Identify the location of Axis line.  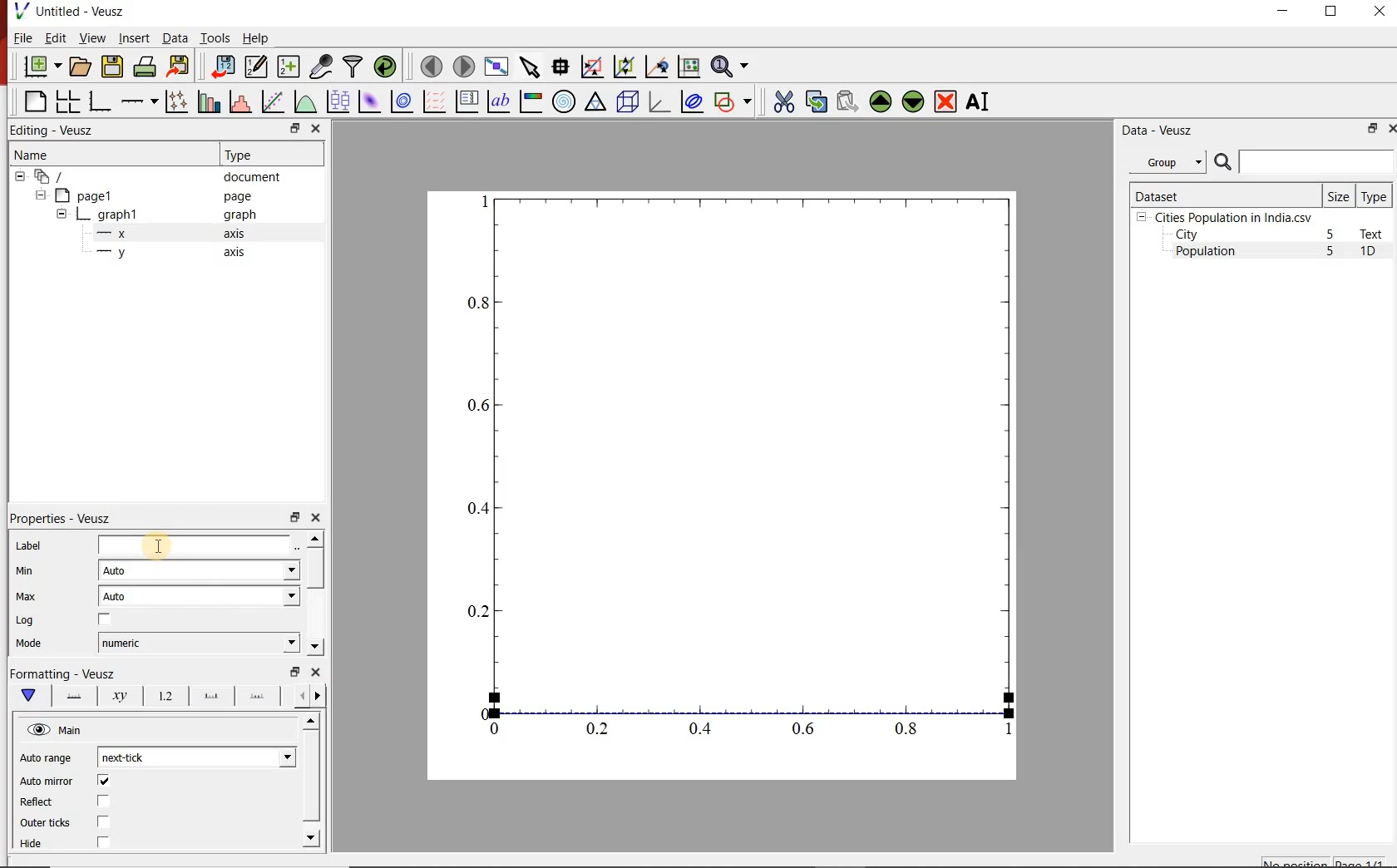
(73, 698).